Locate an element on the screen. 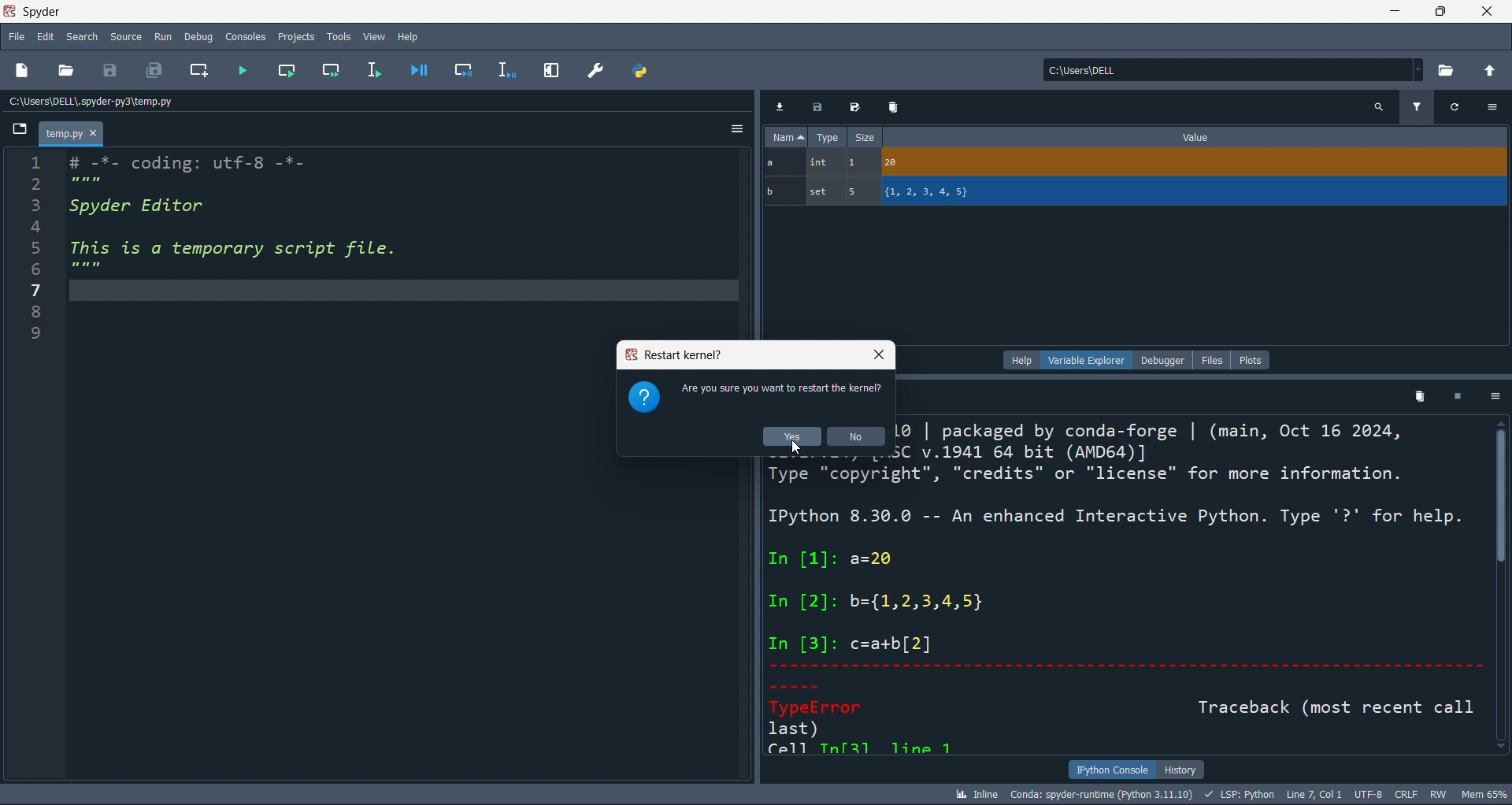 This screenshot has height=805, width=1512. save is located at coordinates (855, 109).